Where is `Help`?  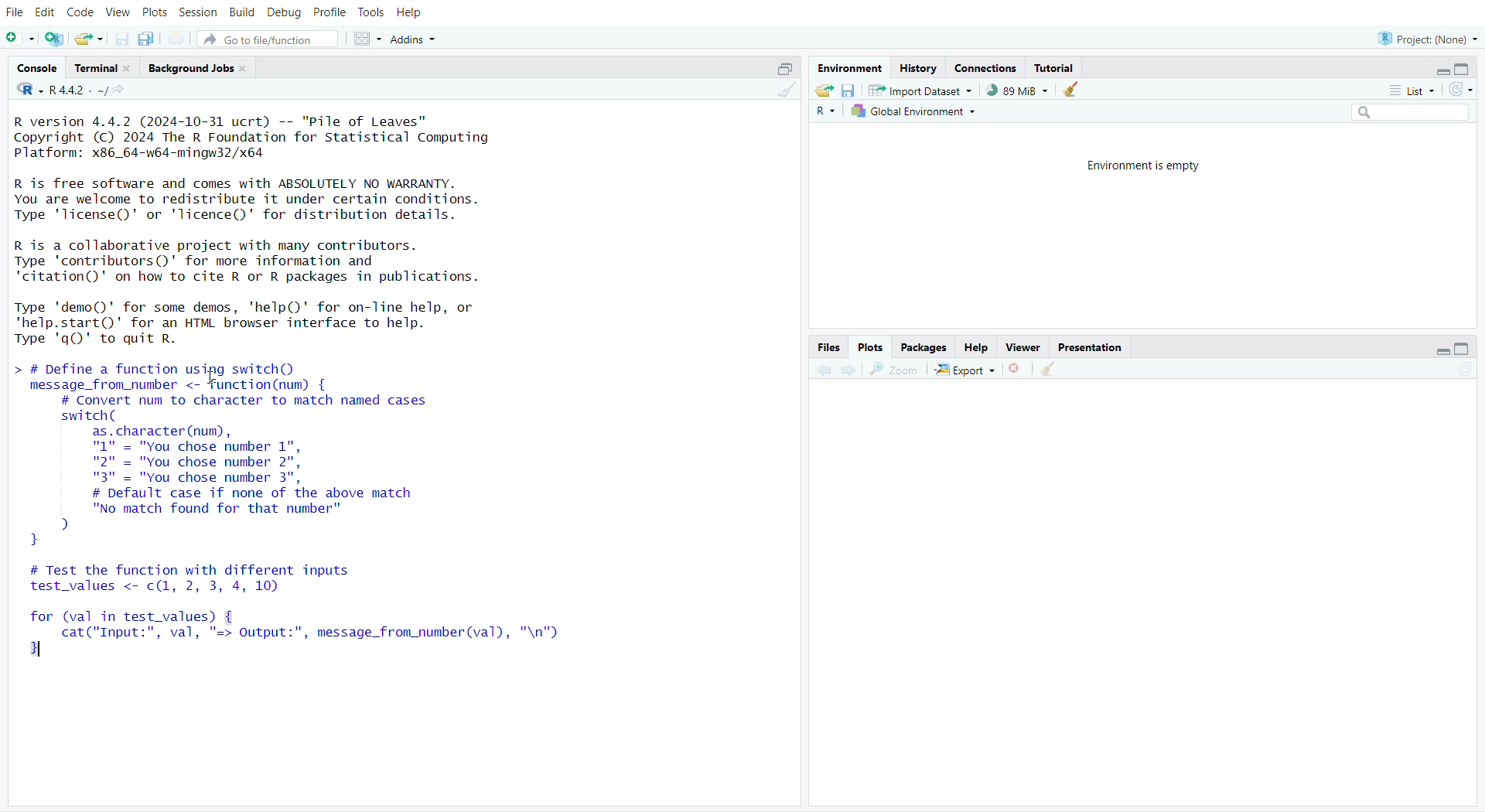
Help is located at coordinates (417, 15).